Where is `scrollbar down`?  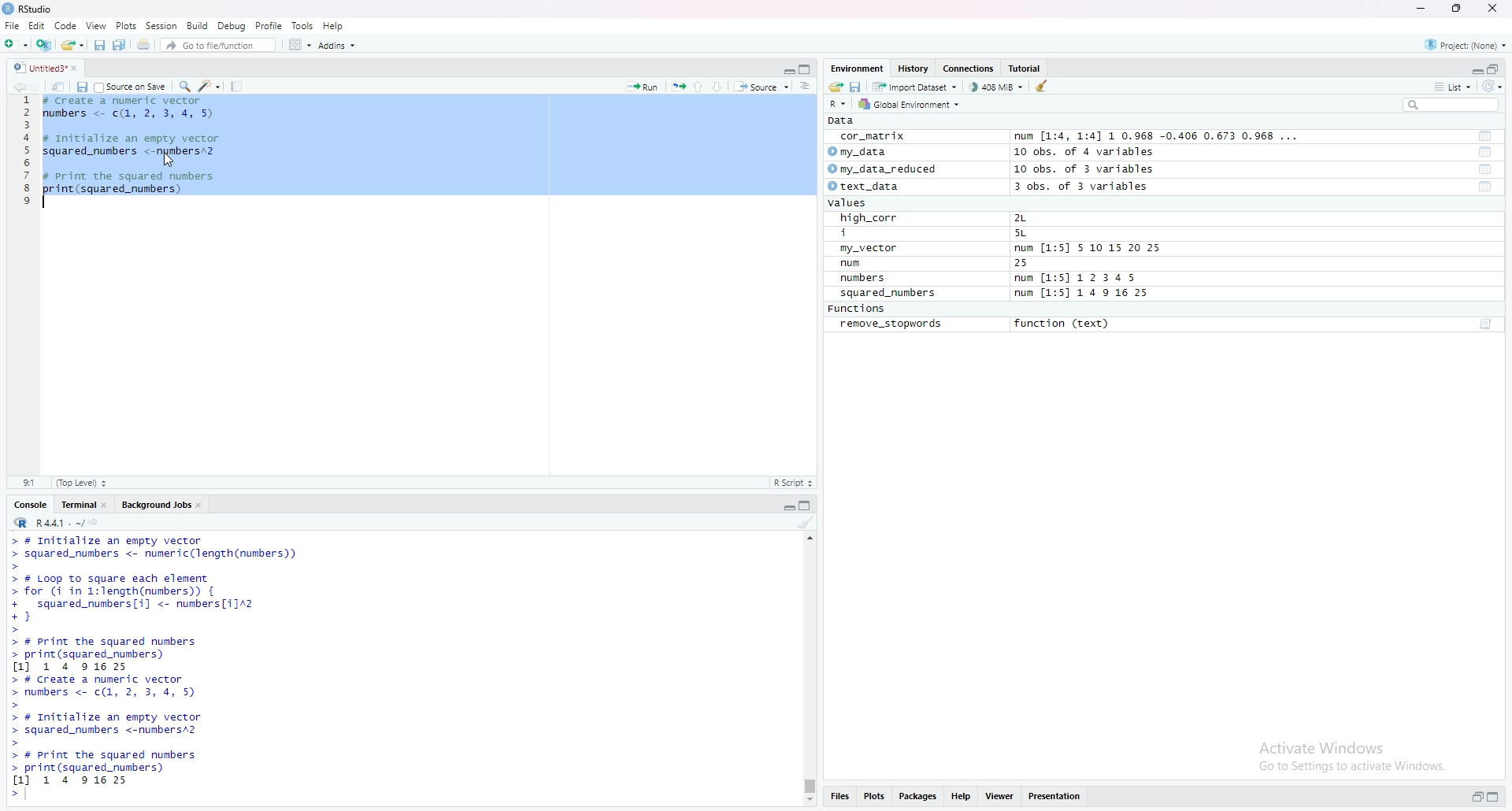
scrollbar down is located at coordinates (808, 802).